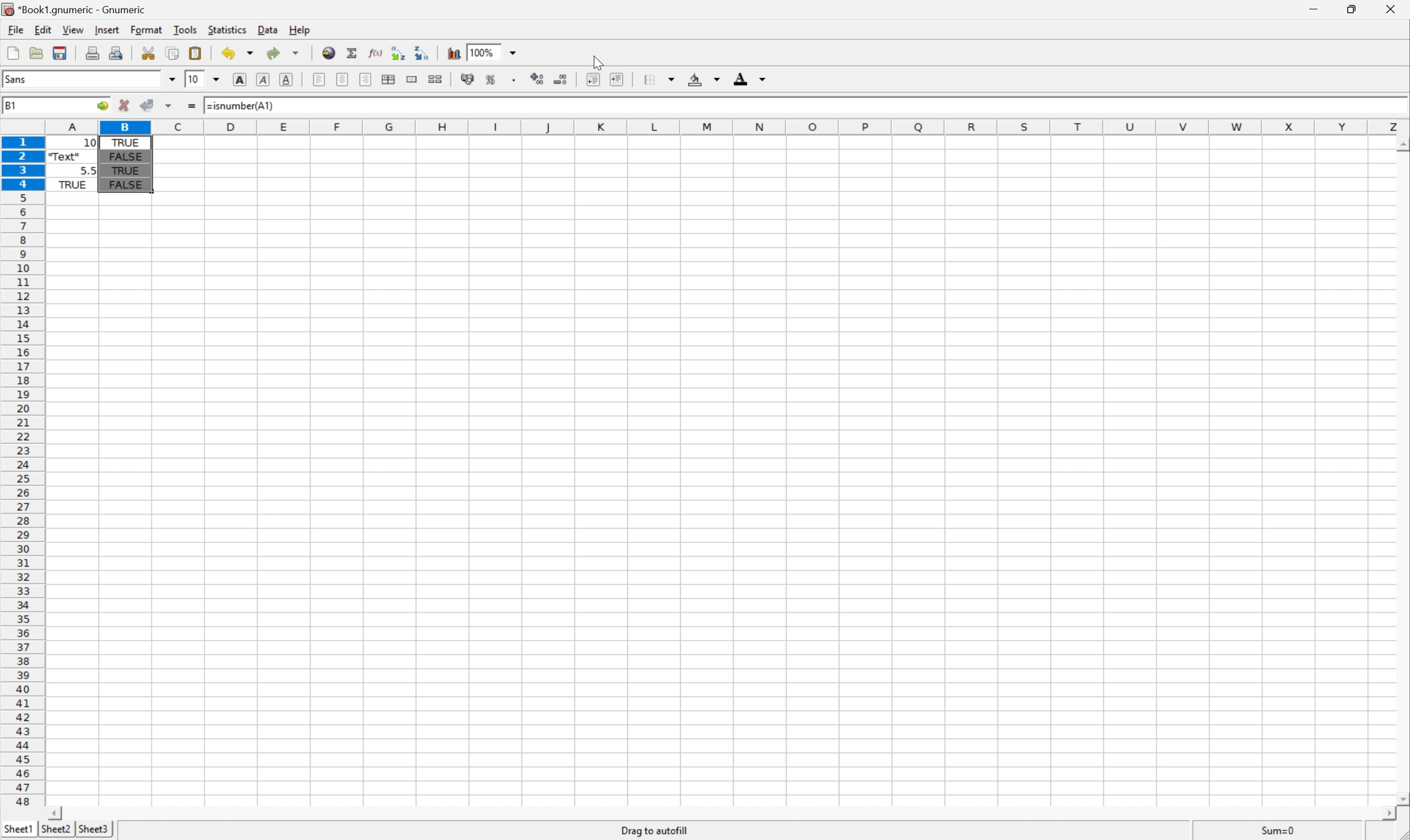 This screenshot has height=840, width=1410. I want to click on Drop Down, so click(217, 79).